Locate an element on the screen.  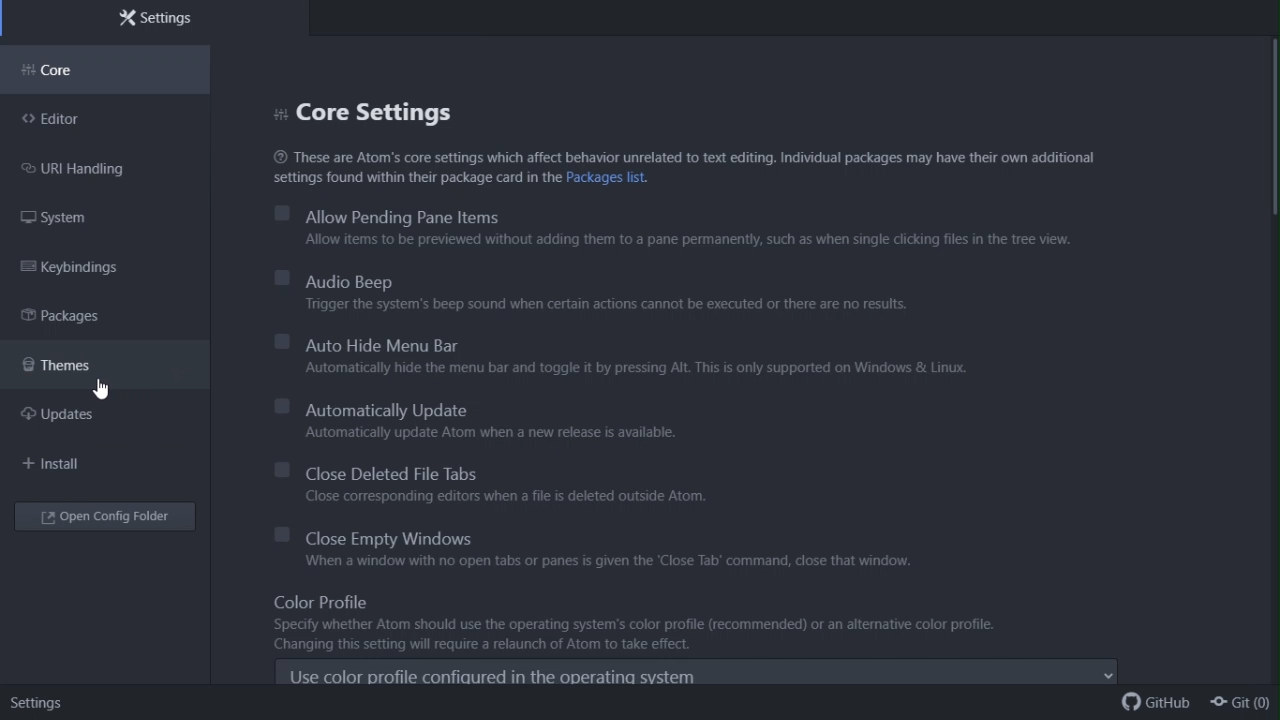
Updates is located at coordinates (71, 414).